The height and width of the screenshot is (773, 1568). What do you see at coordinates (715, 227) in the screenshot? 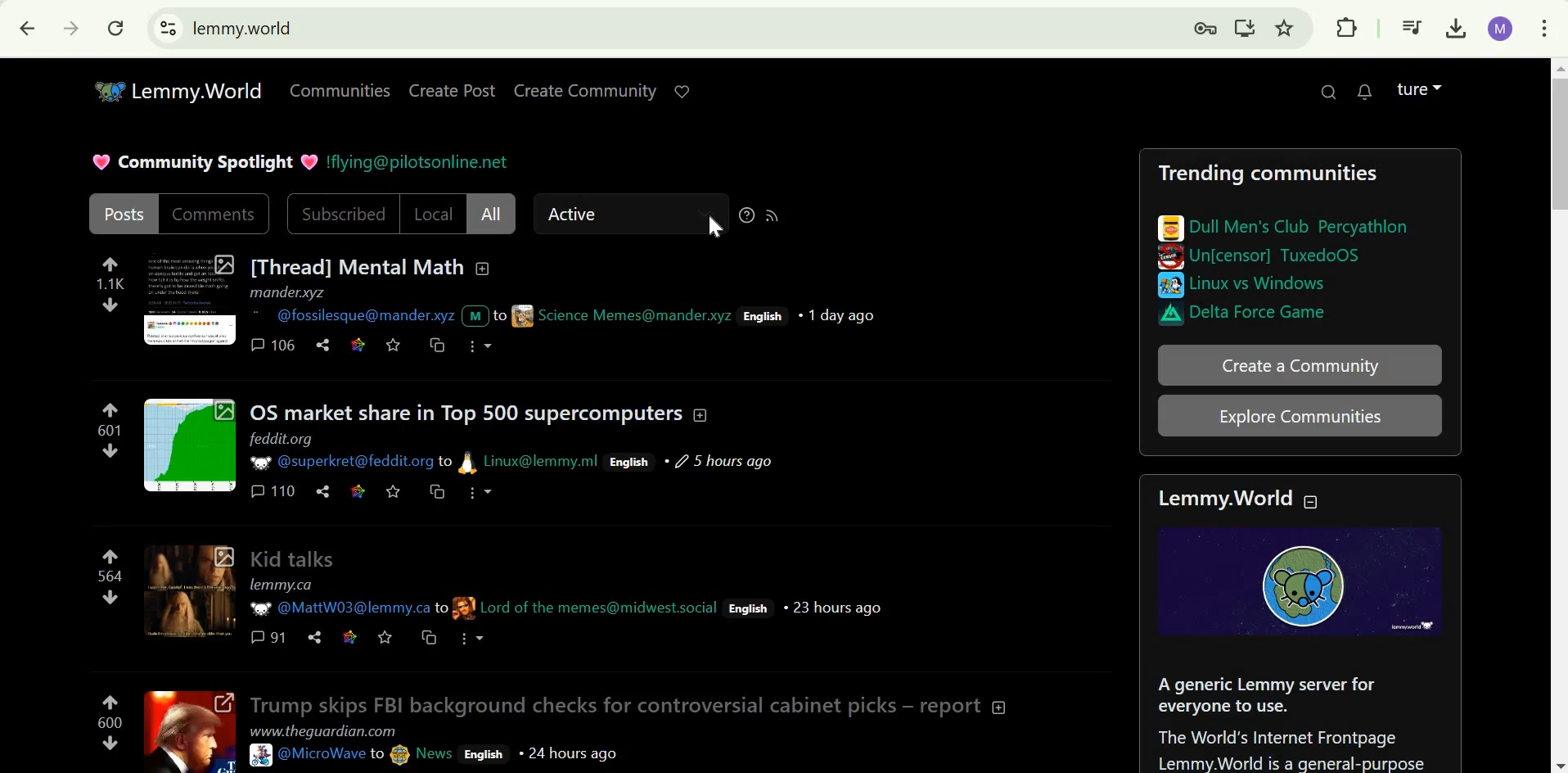
I see `cursor` at bounding box center [715, 227].